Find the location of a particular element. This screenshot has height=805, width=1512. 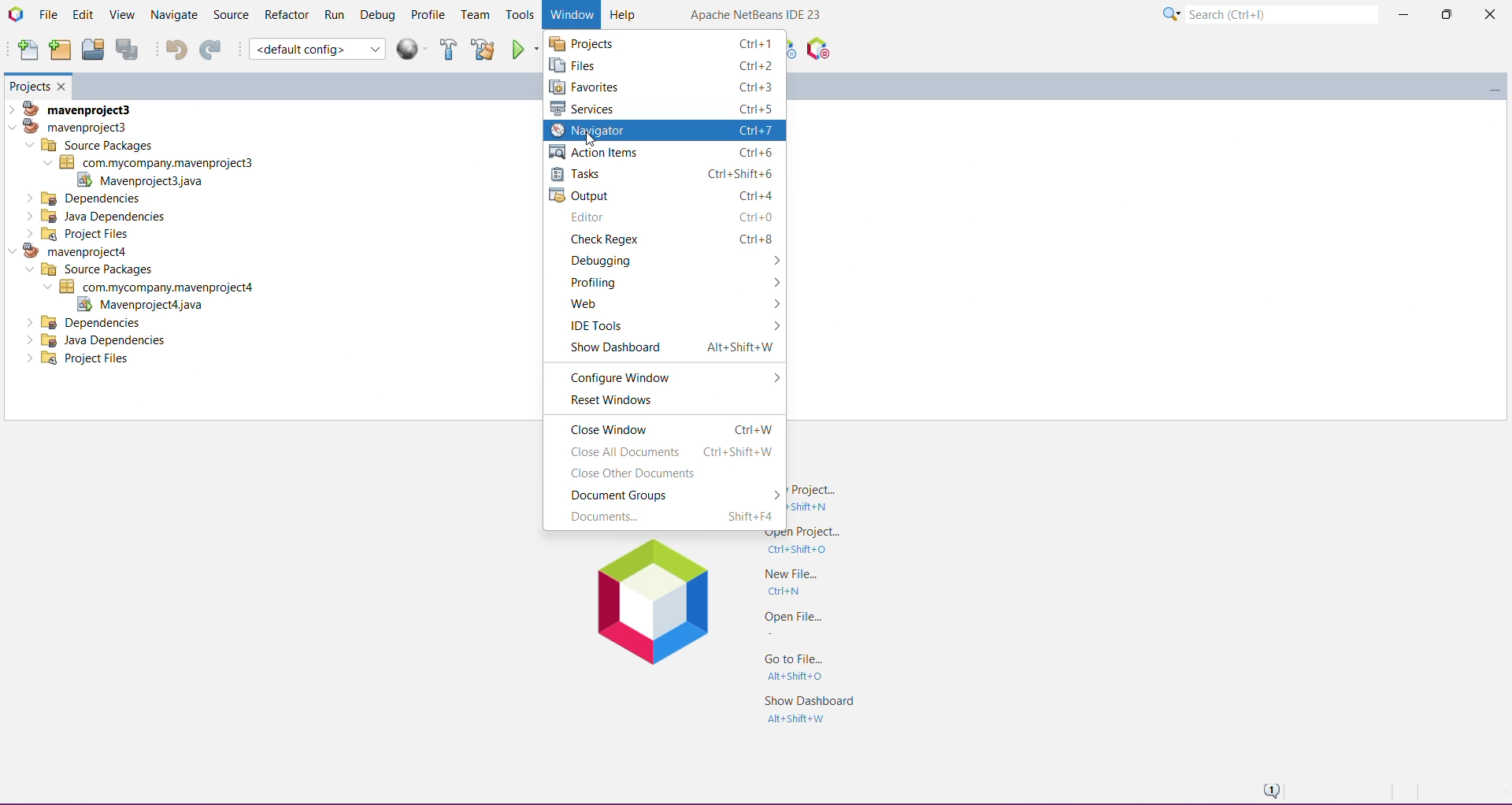

Close Windows is located at coordinates (665, 427).